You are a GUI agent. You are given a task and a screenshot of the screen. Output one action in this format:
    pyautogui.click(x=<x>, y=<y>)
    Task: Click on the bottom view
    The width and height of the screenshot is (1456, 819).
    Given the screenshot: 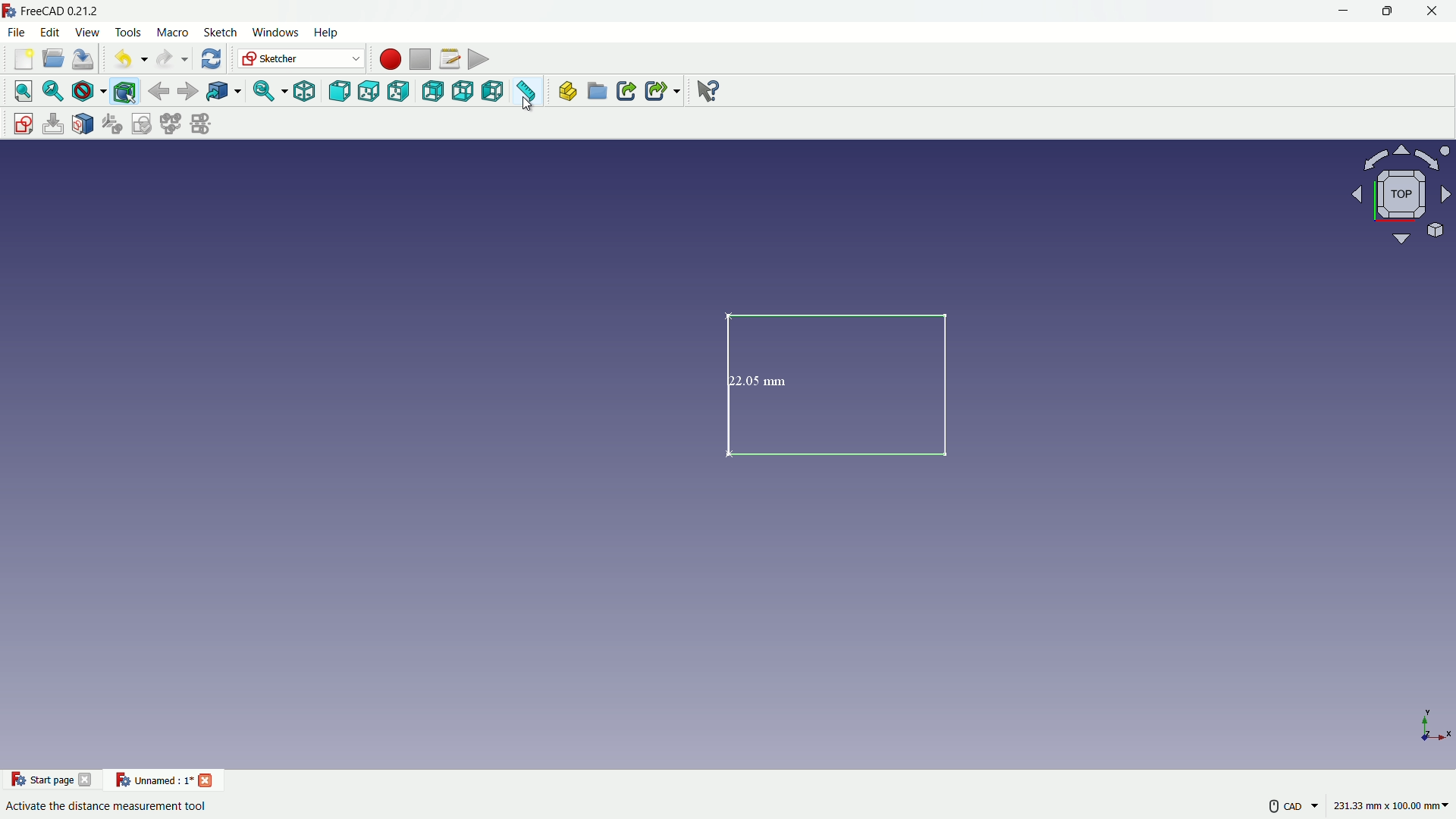 What is the action you would take?
    pyautogui.click(x=463, y=93)
    